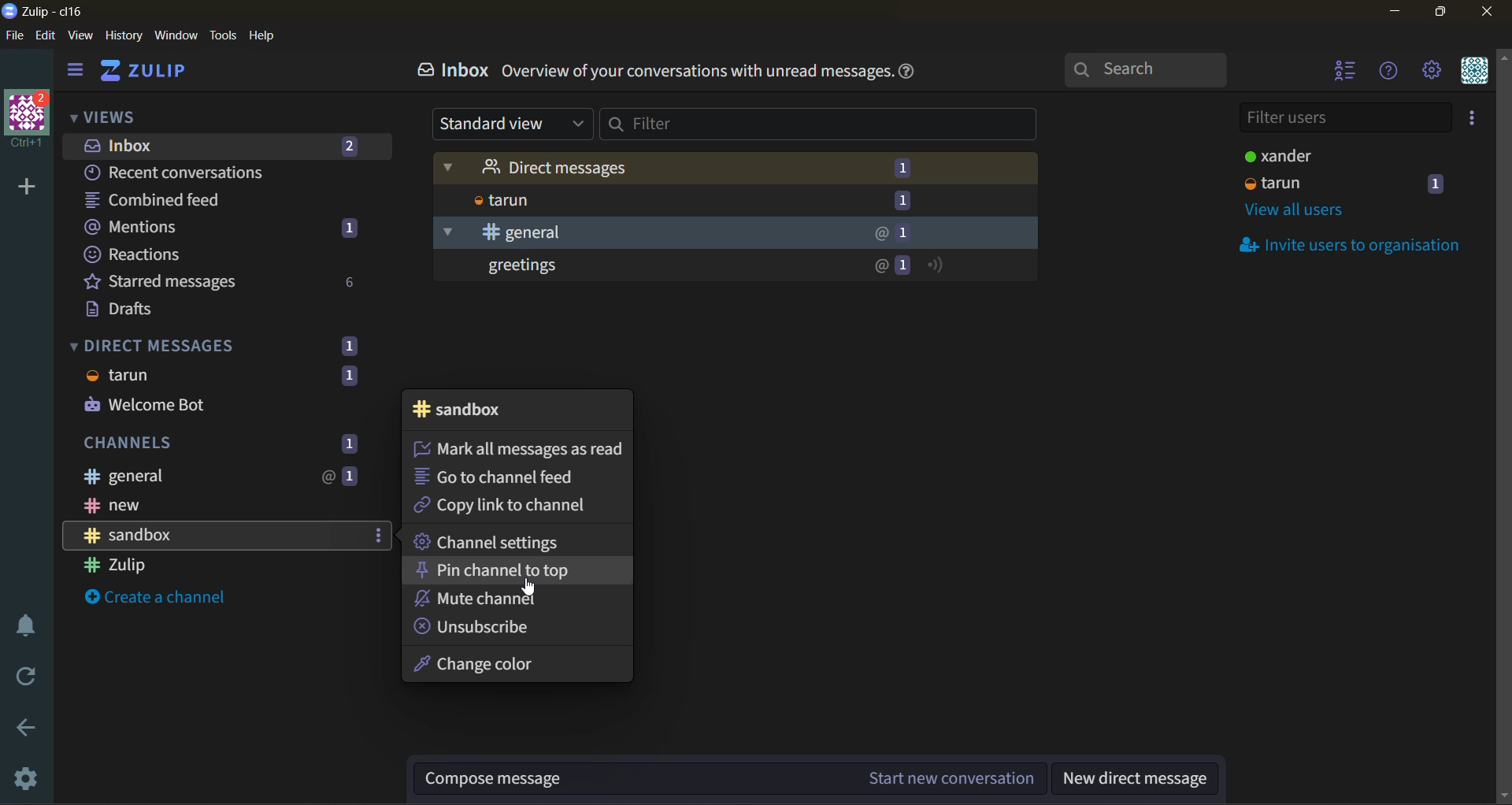 The height and width of the screenshot is (805, 1512). I want to click on users and status, so click(1336, 157).